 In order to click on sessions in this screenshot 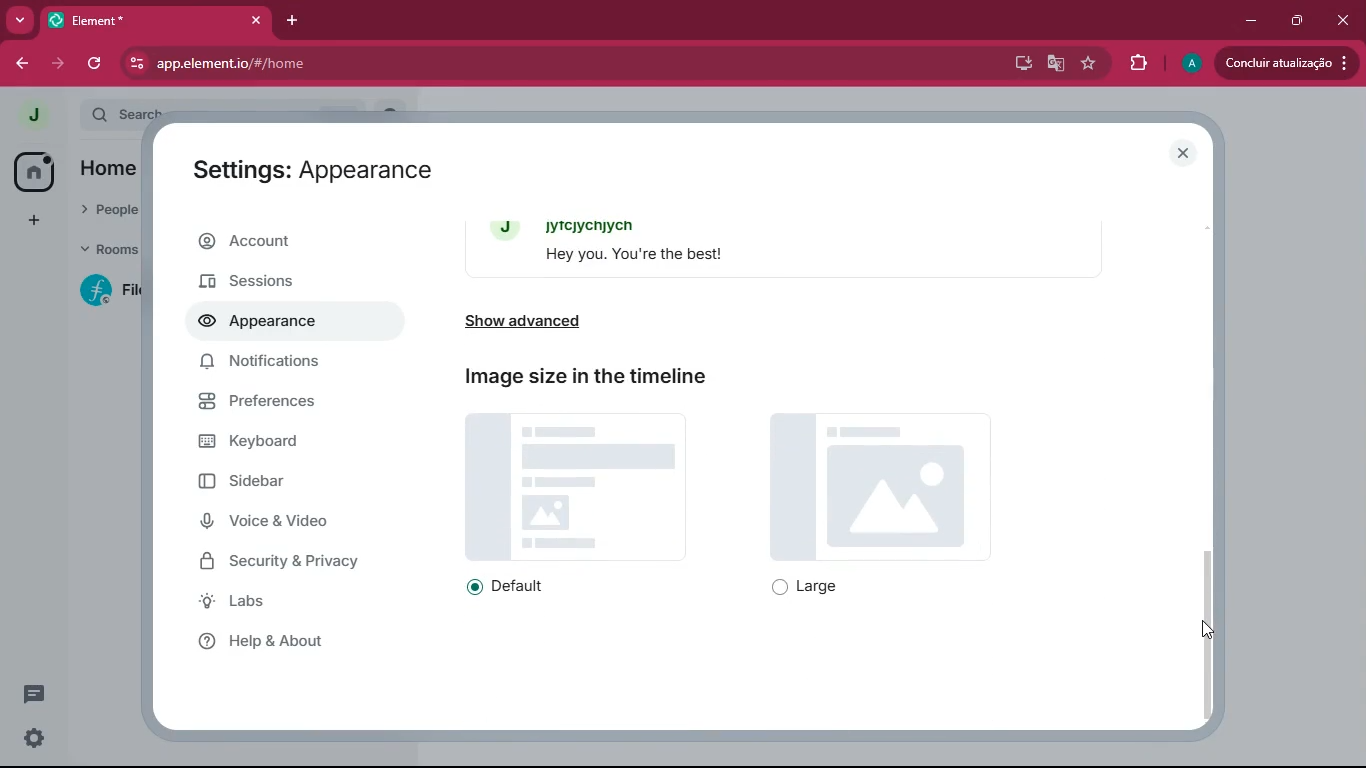, I will do `click(283, 280)`.